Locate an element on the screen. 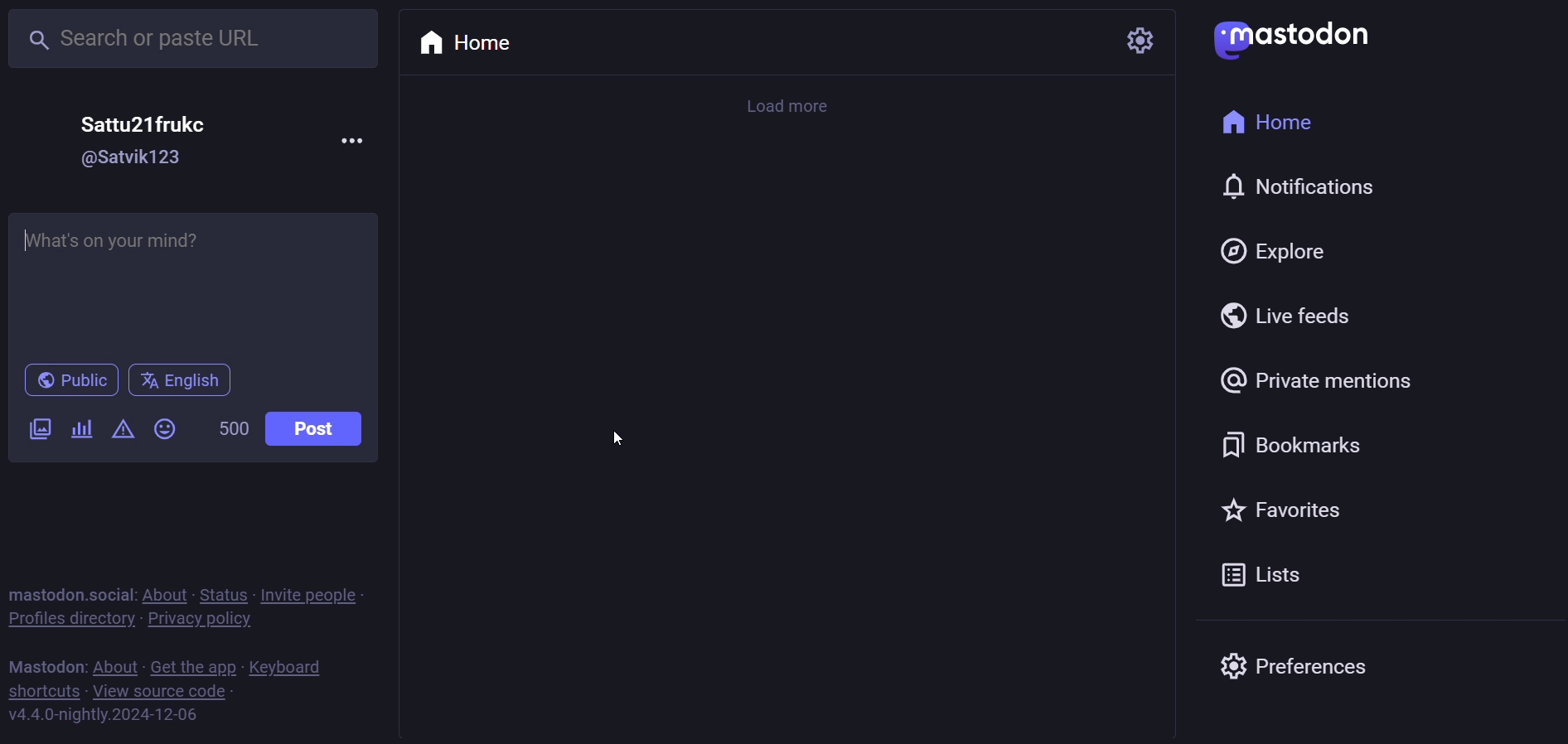 This screenshot has width=1568, height=744. live feed is located at coordinates (1284, 314).